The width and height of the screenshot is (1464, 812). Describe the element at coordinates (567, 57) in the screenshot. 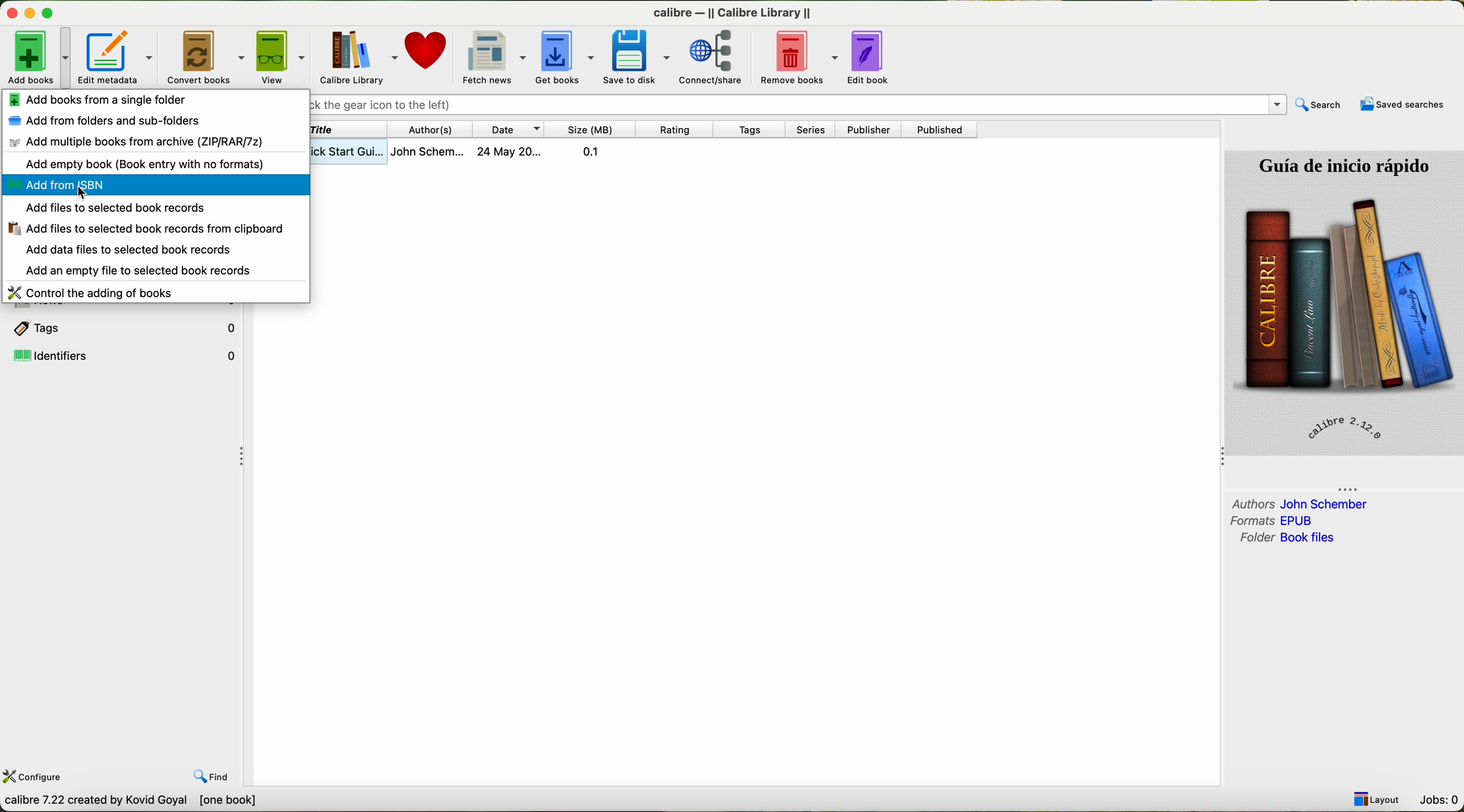

I see `get books` at that location.